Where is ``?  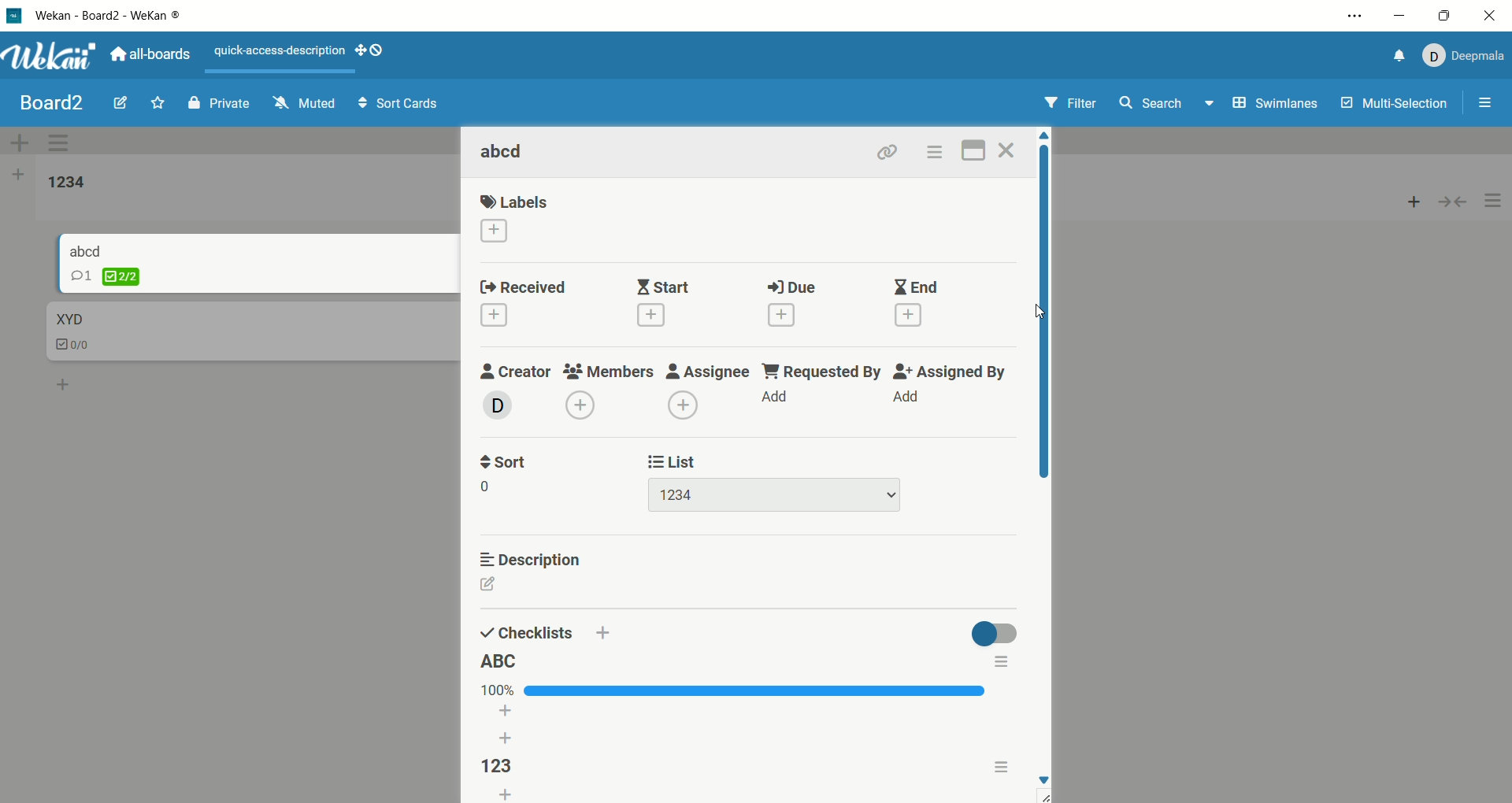
 is located at coordinates (602, 634).